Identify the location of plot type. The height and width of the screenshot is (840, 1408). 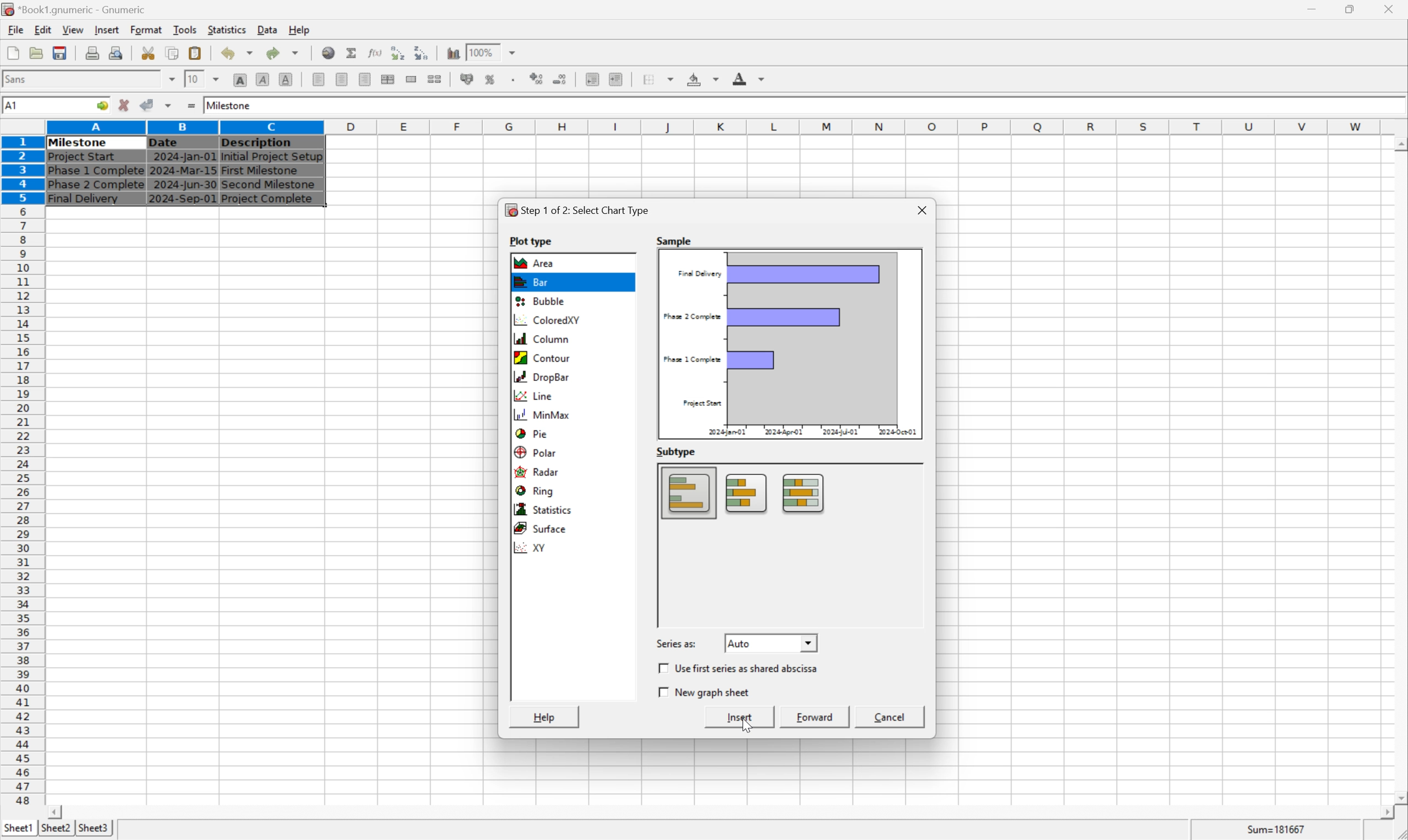
(533, 239).